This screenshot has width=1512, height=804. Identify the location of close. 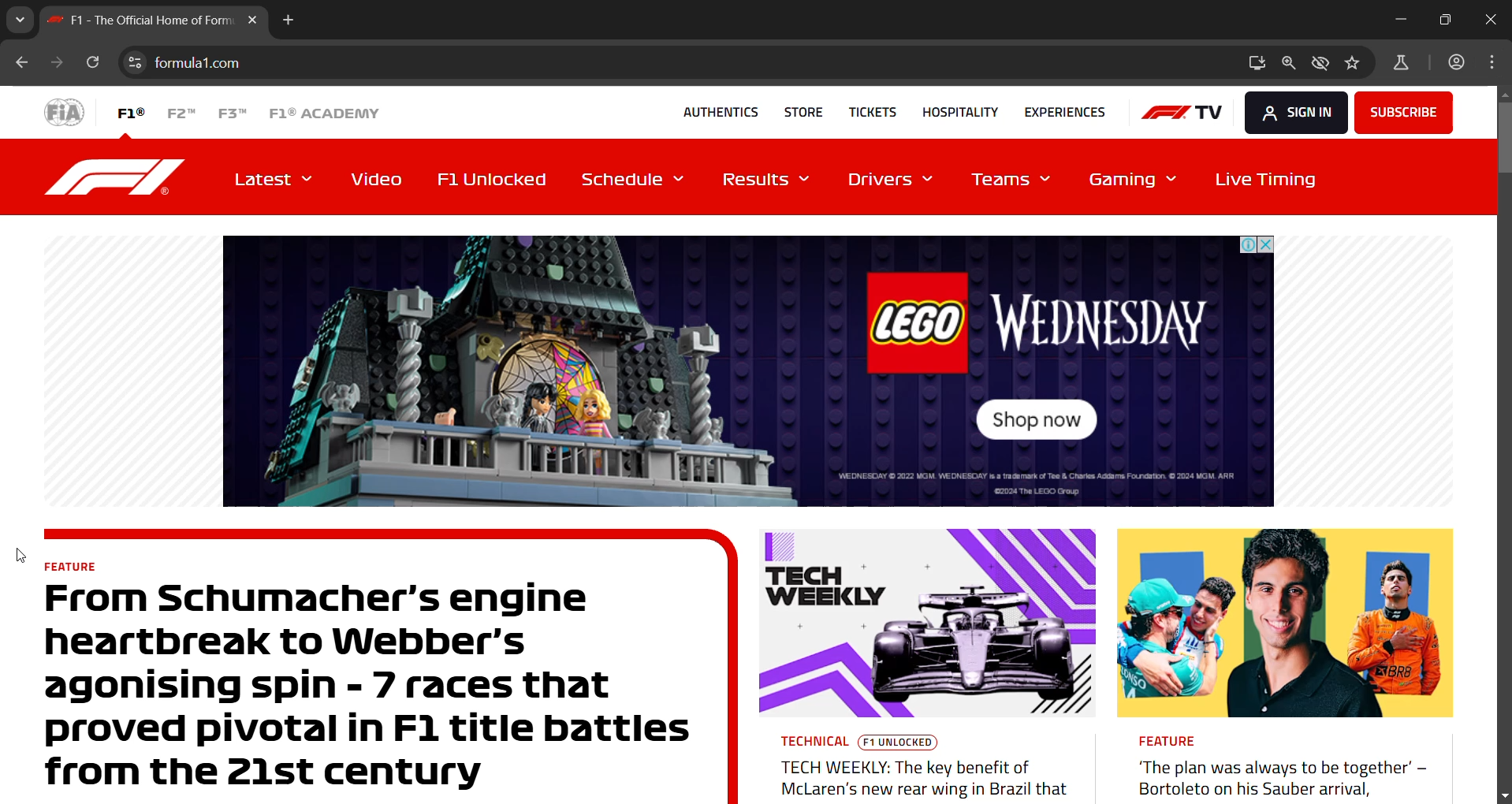
(1488, 20).